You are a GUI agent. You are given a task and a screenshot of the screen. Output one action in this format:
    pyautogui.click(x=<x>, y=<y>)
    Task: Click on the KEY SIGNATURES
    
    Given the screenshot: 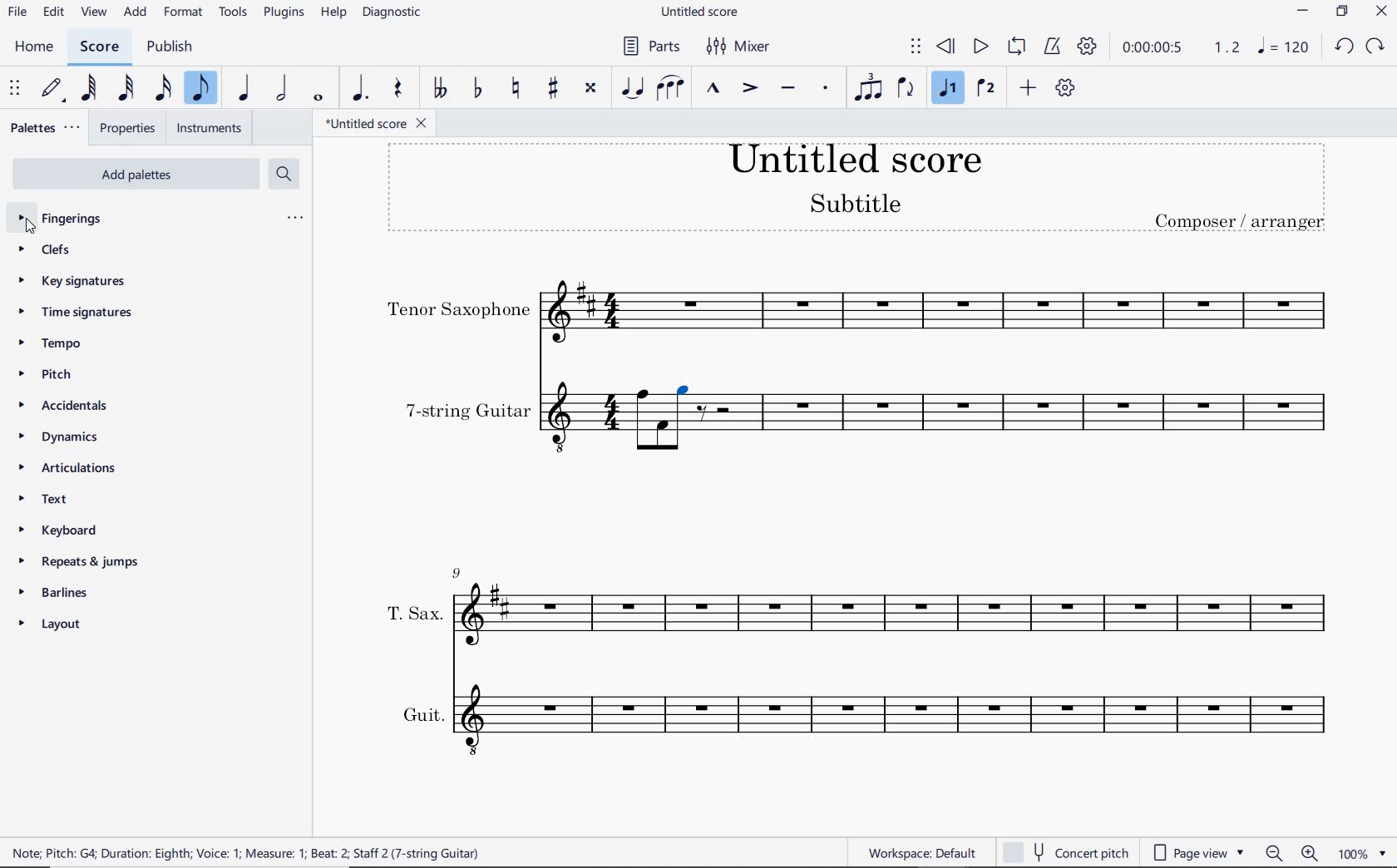 What is the action you would take?
    pyautogui.click(x=80, y=279)
    